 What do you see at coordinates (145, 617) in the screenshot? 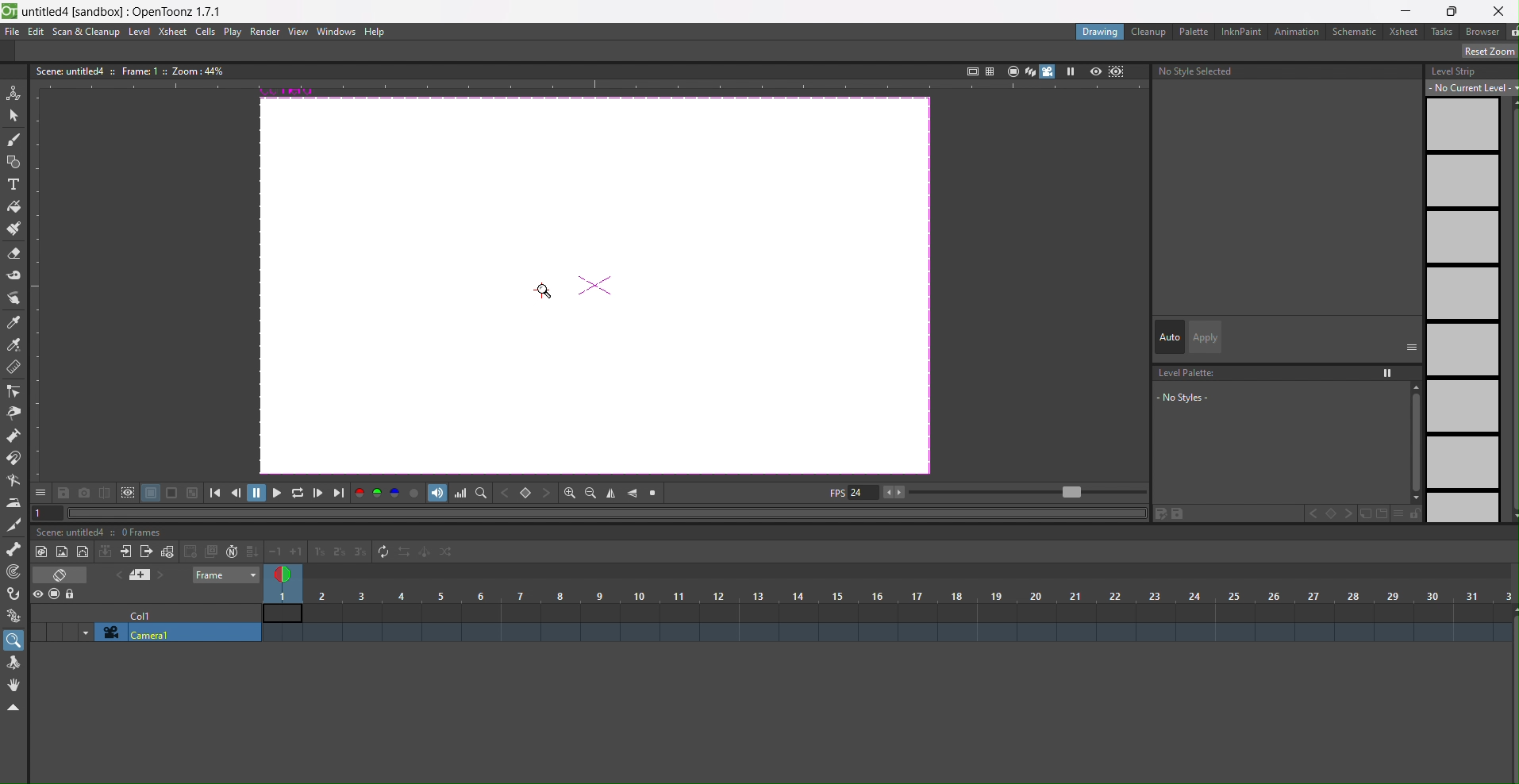
I see `cell` at bounding box center [145, 617].